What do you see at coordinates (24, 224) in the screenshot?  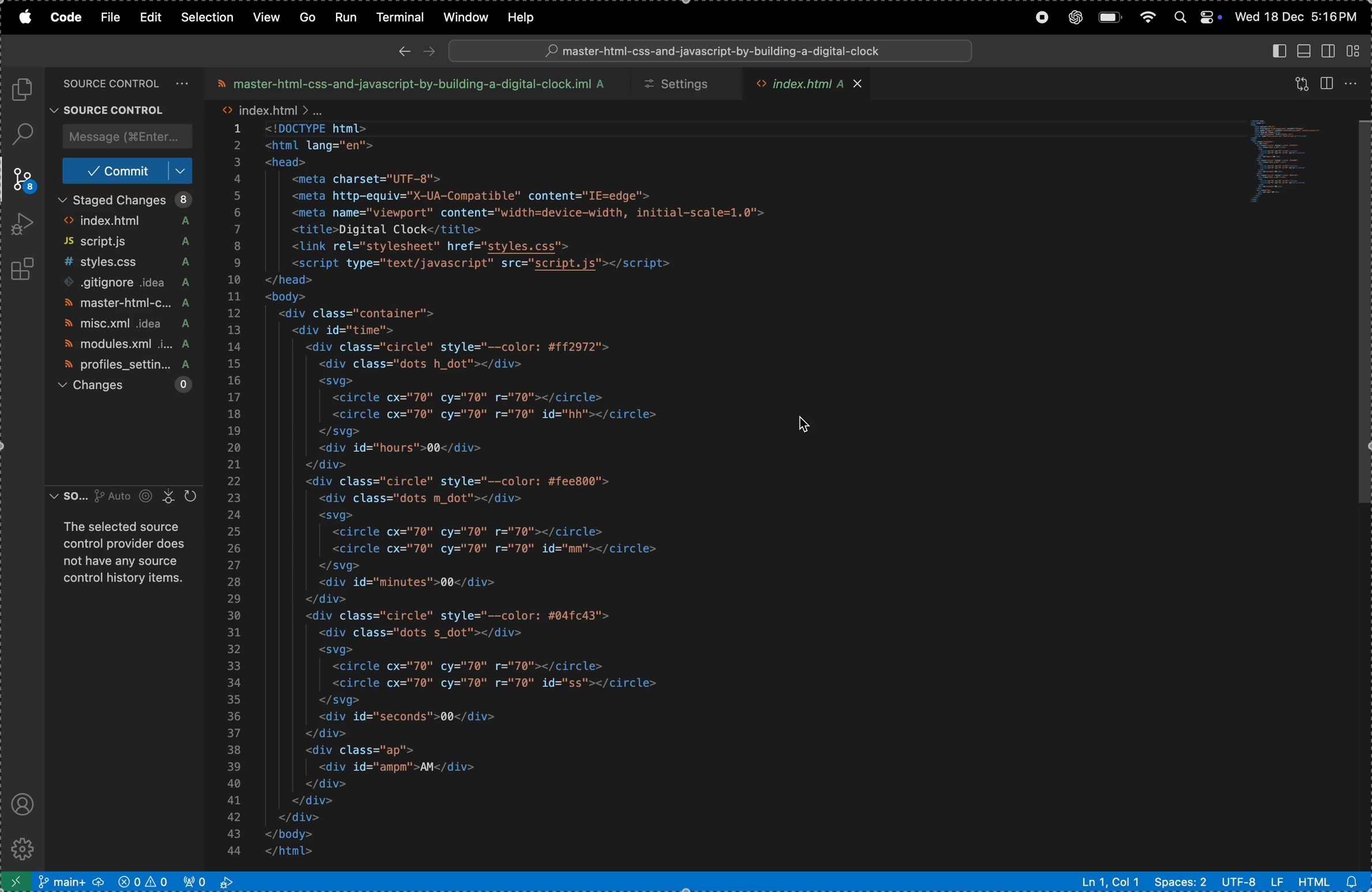 I see `run and debug` at bounding box center [24, 224].